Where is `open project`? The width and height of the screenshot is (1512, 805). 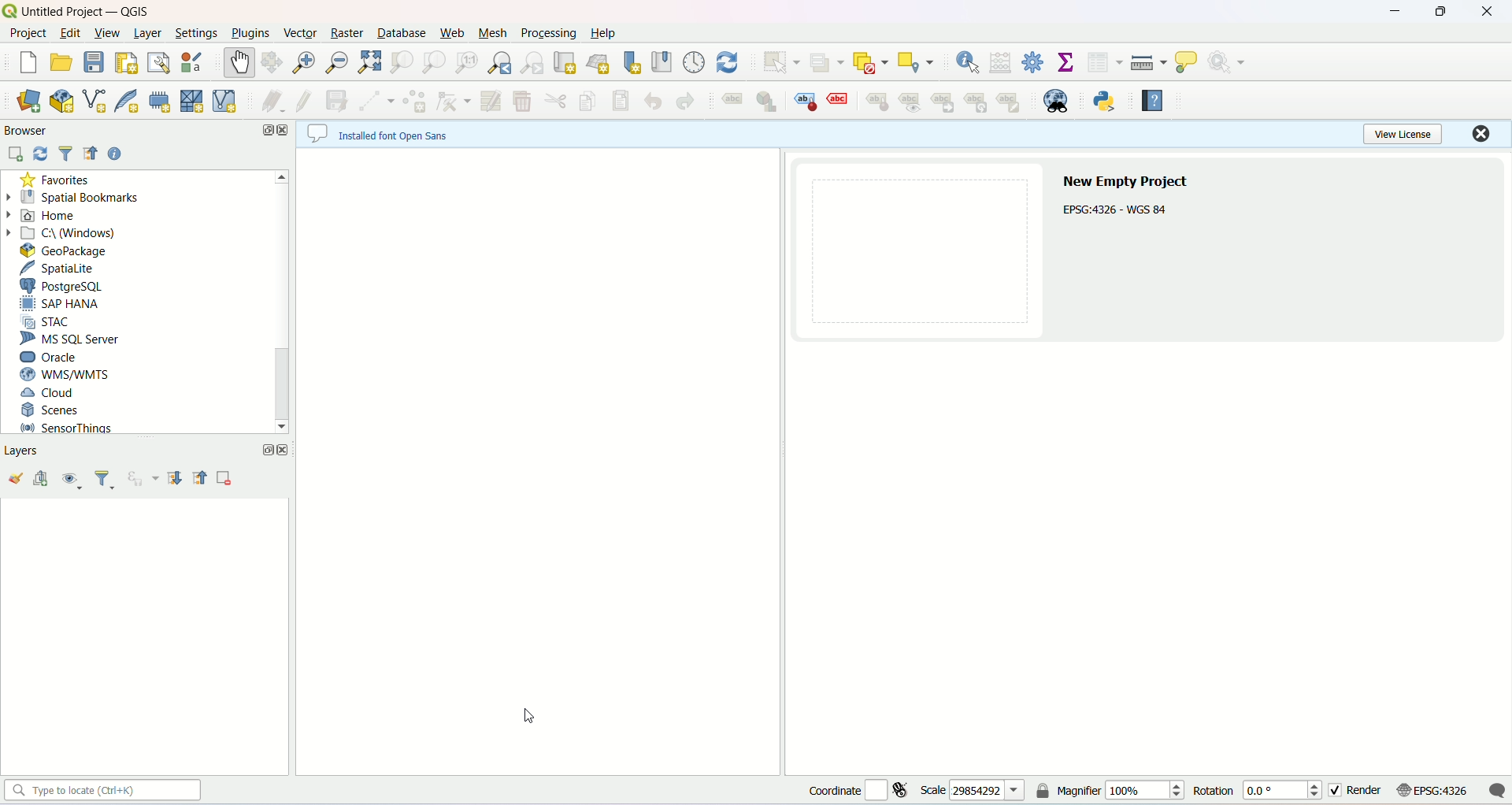
open project is located at coordinates (59, 61).